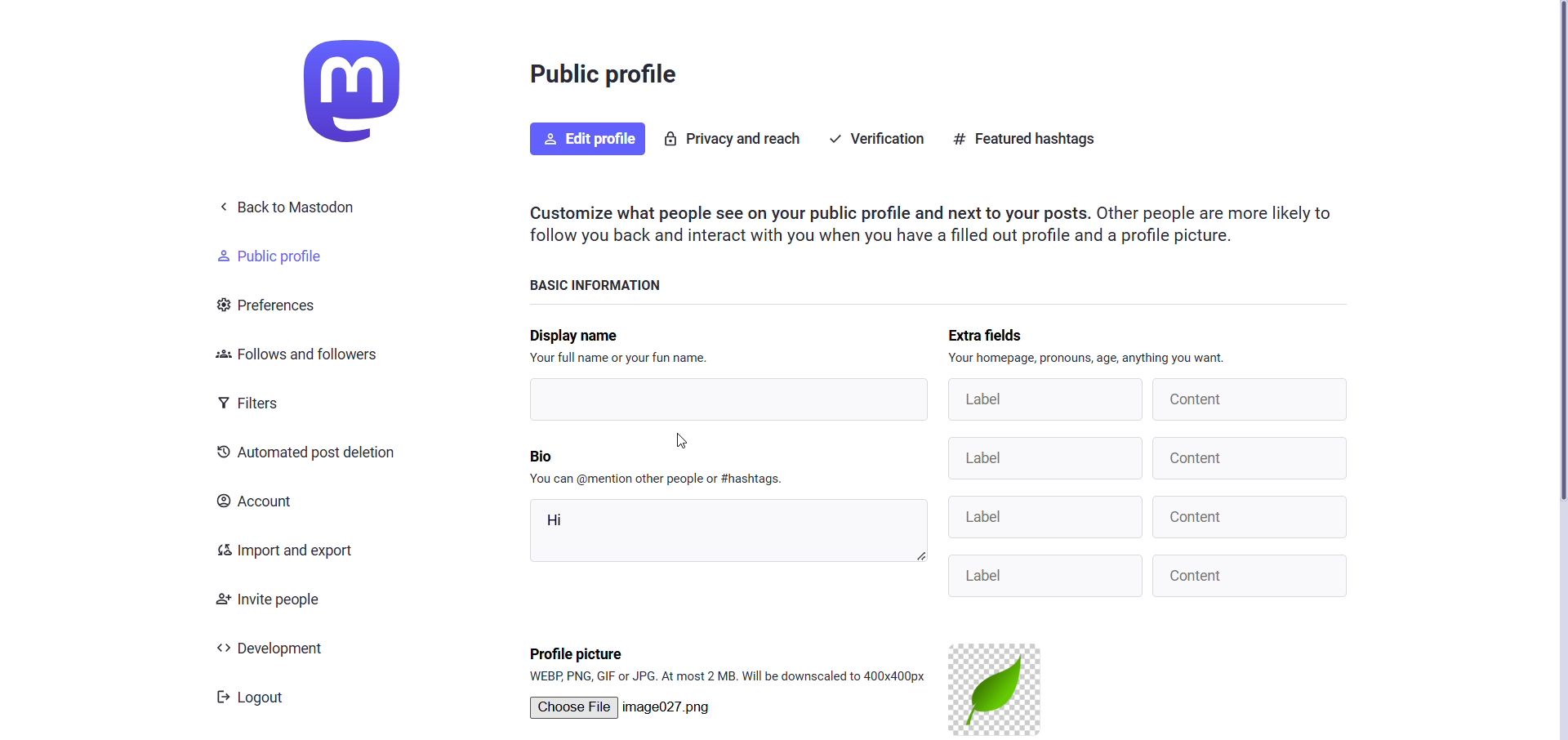 This screenshot has width=1568, height=740. I want to click on current profile picture, so click(994, 690).